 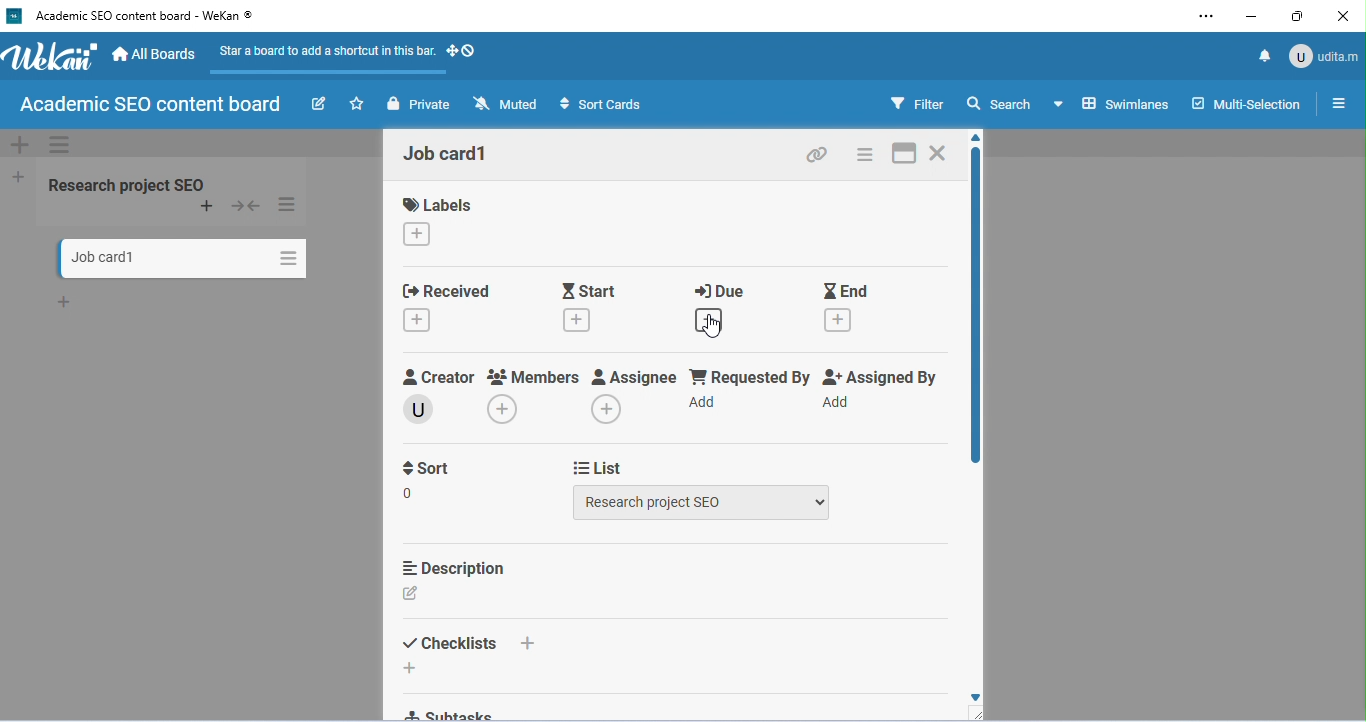 What do you see at coordinates (1298, 17) in the screenshot?
I see `maximize` at bounding box center [1298, 17].